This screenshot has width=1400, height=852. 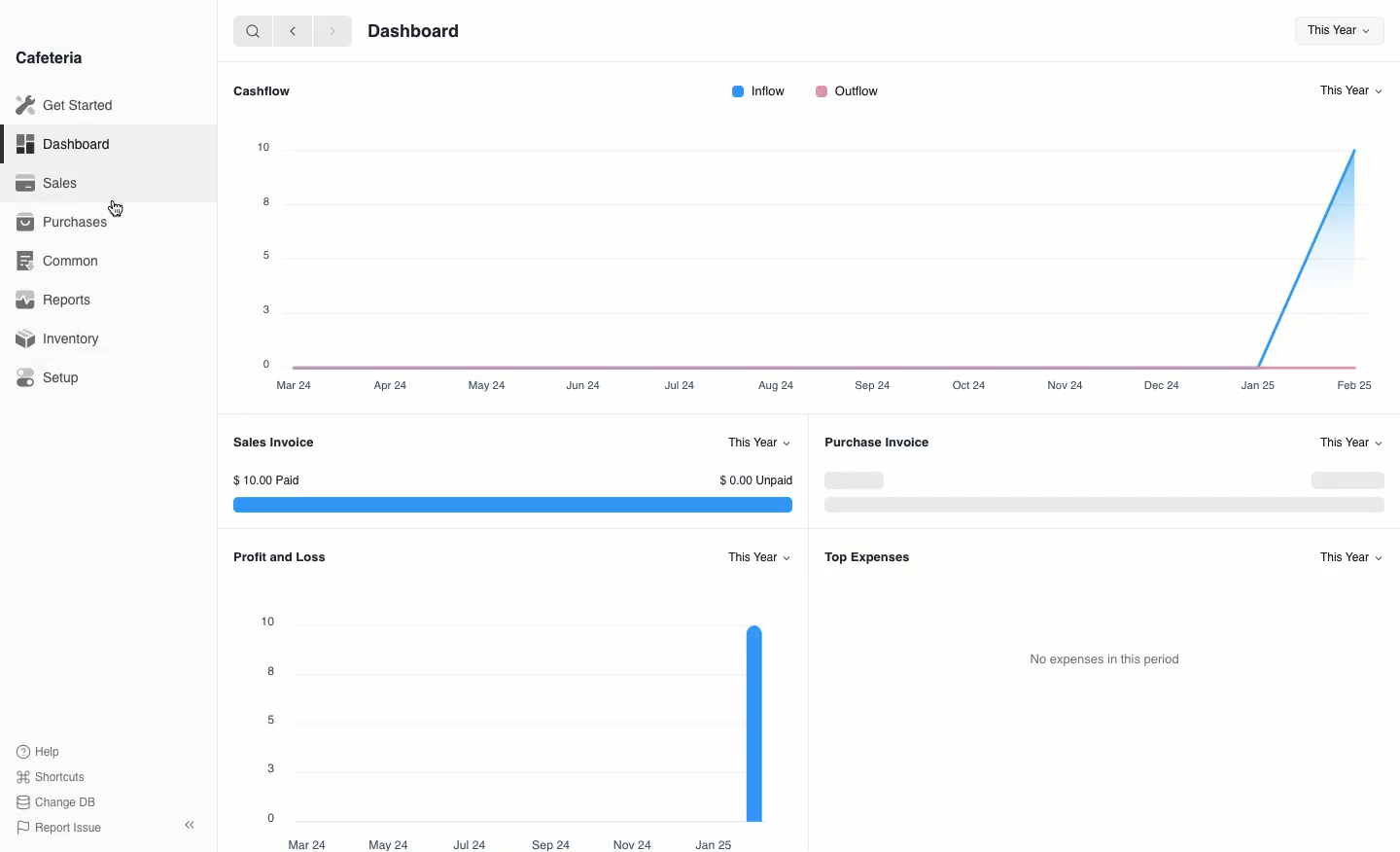 What do you see at coordinates (1066, 385) in the screenshot?
I see `Nov 24` at bounding box center [1066, 385].